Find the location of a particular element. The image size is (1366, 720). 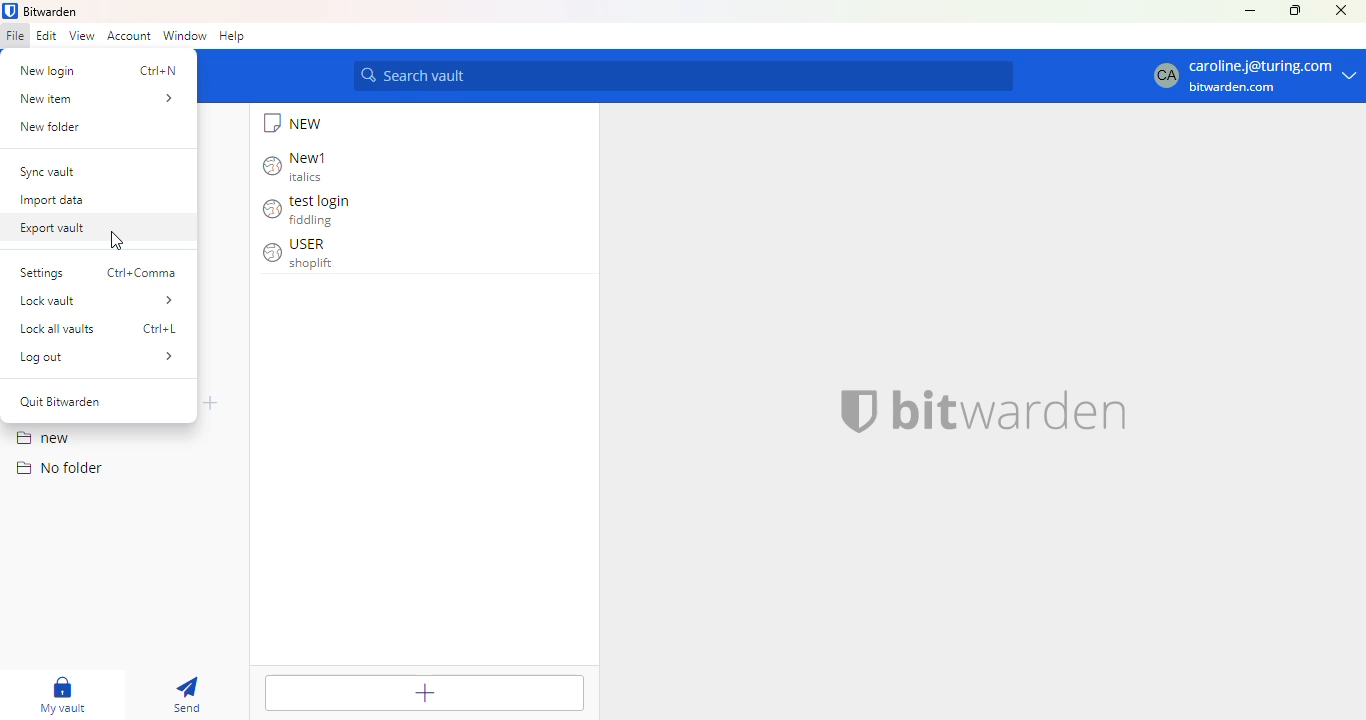

quit bitwarden is located at coordinates (61, 401).